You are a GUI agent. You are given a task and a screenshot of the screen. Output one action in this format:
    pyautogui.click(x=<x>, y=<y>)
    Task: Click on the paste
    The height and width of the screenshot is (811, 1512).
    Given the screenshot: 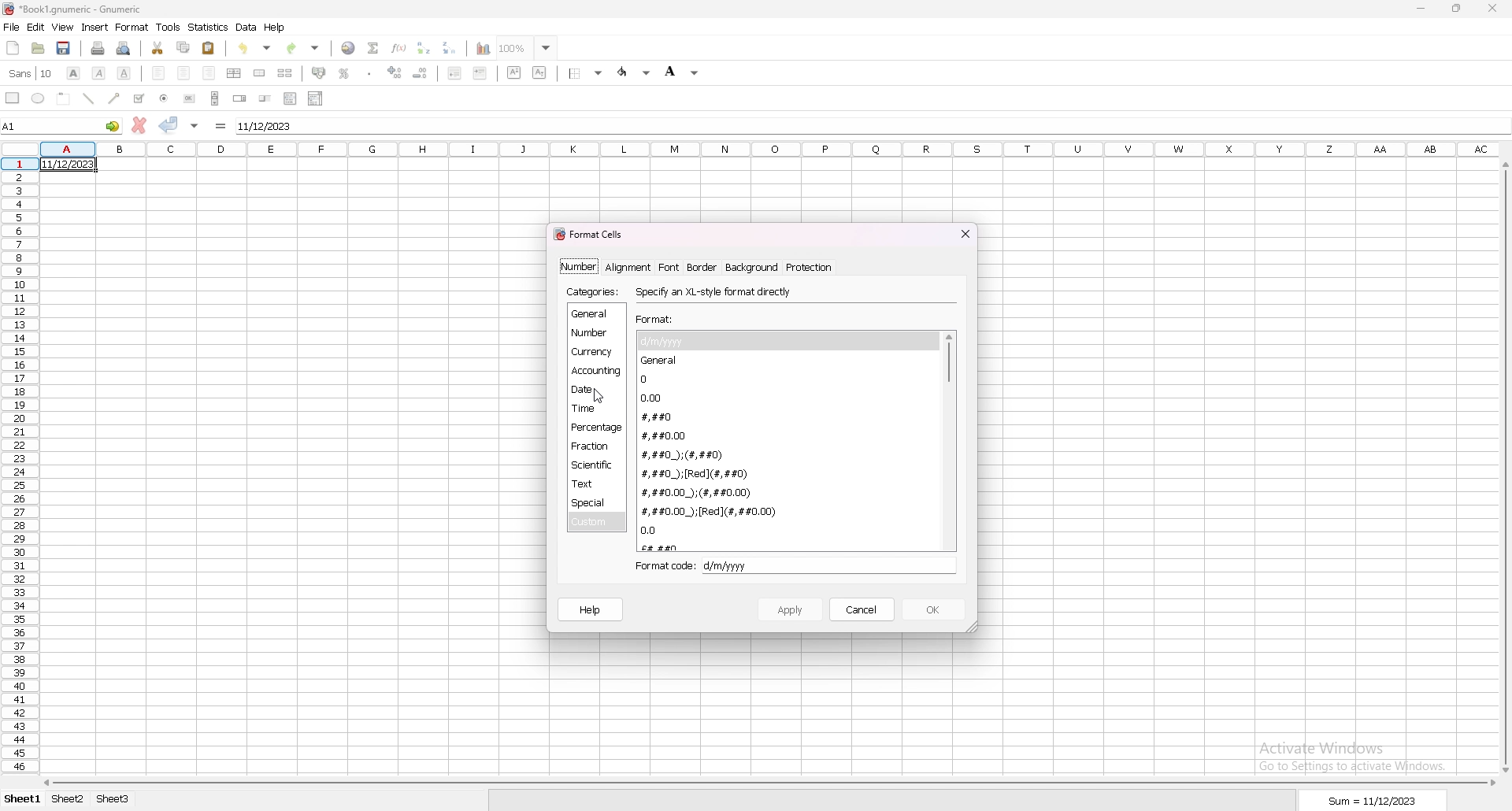 What is the action you would take?
    pyautogui.click(x=207, y=49)
    